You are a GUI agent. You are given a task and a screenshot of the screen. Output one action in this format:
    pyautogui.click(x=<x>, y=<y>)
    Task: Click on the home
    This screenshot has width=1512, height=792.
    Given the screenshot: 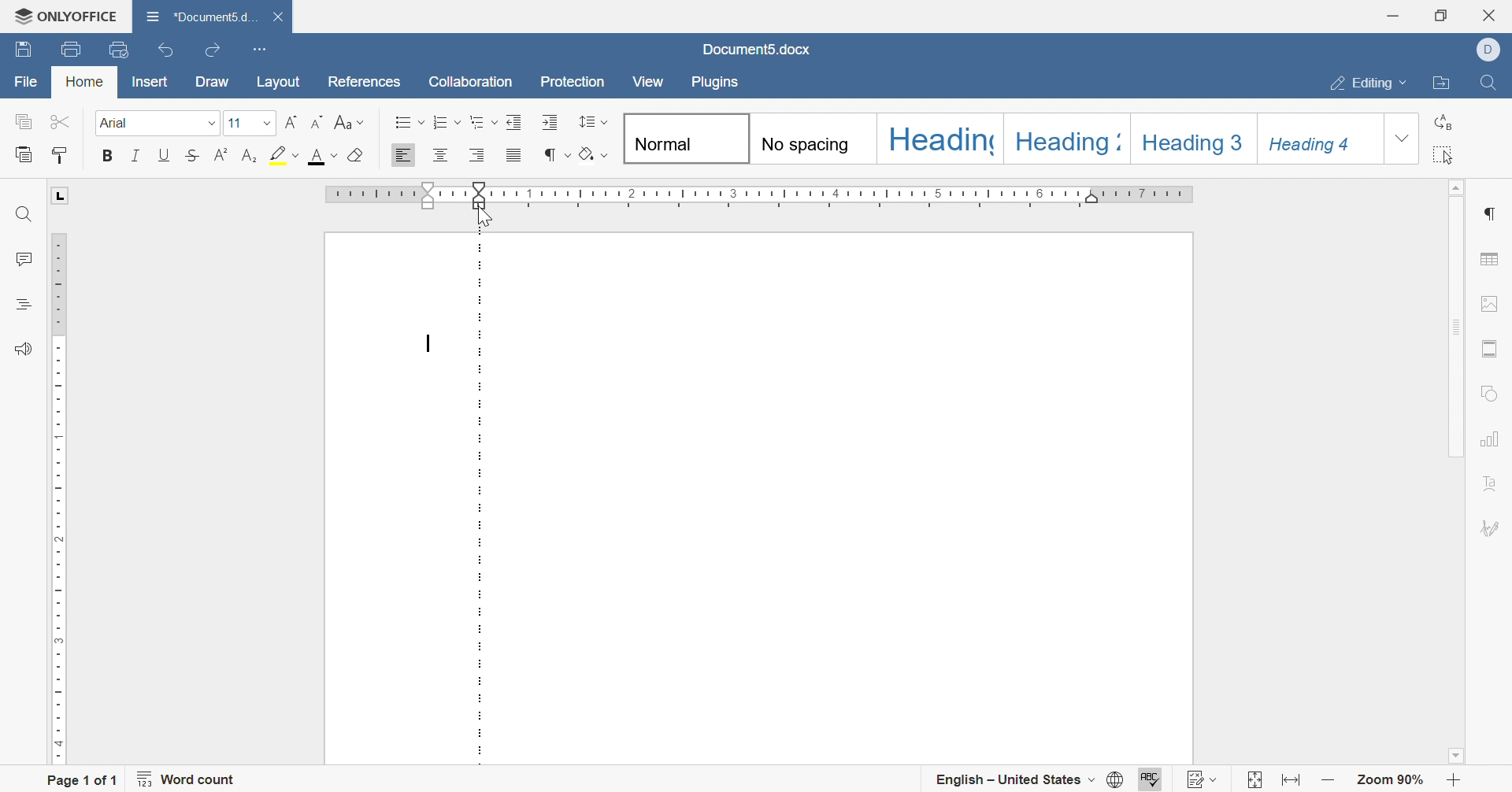 What is the action you would take?
    pyautogui.click(x=83, y=82)
    